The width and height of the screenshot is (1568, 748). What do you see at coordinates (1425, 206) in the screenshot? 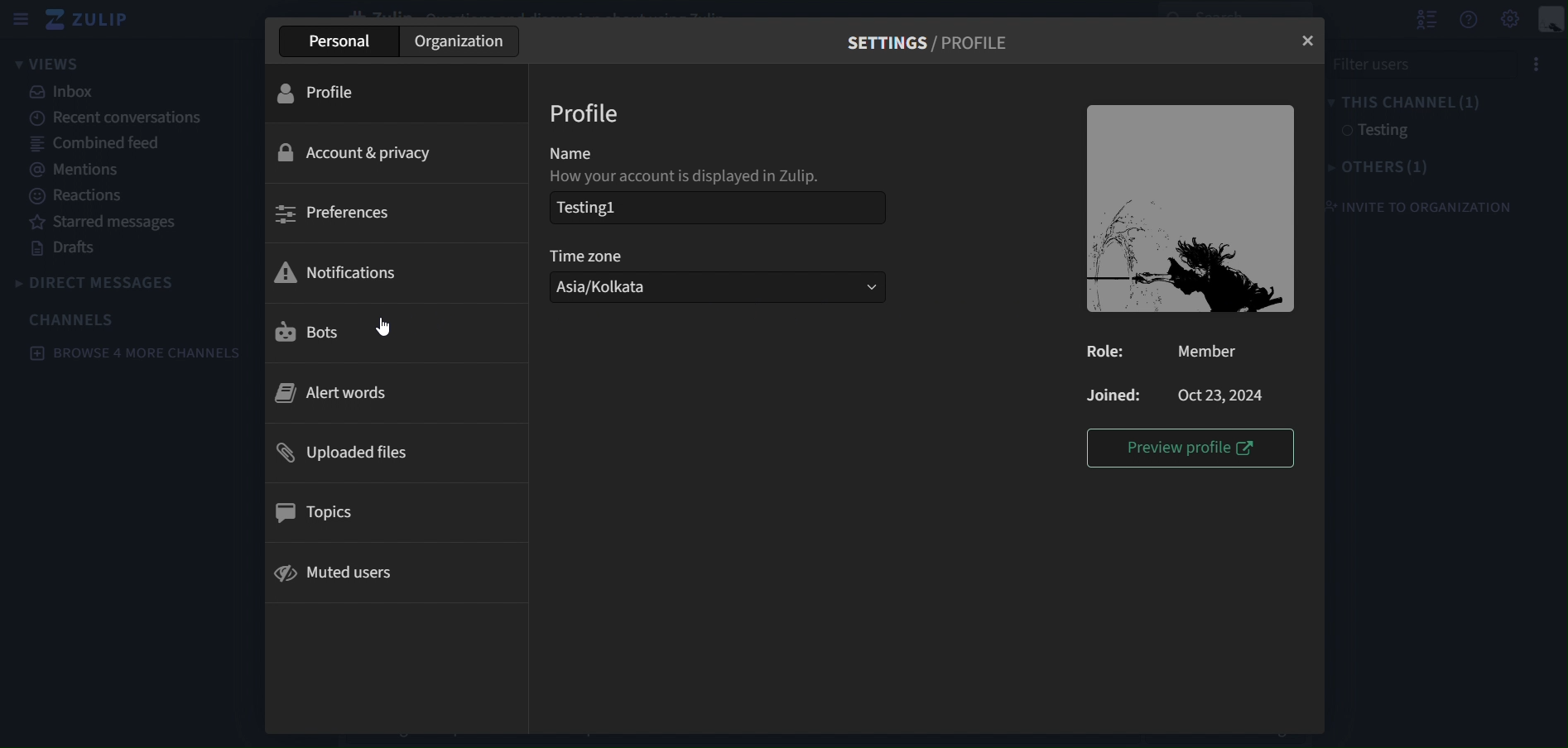
I see `invite to organization` at bounding box center [1425, 206].